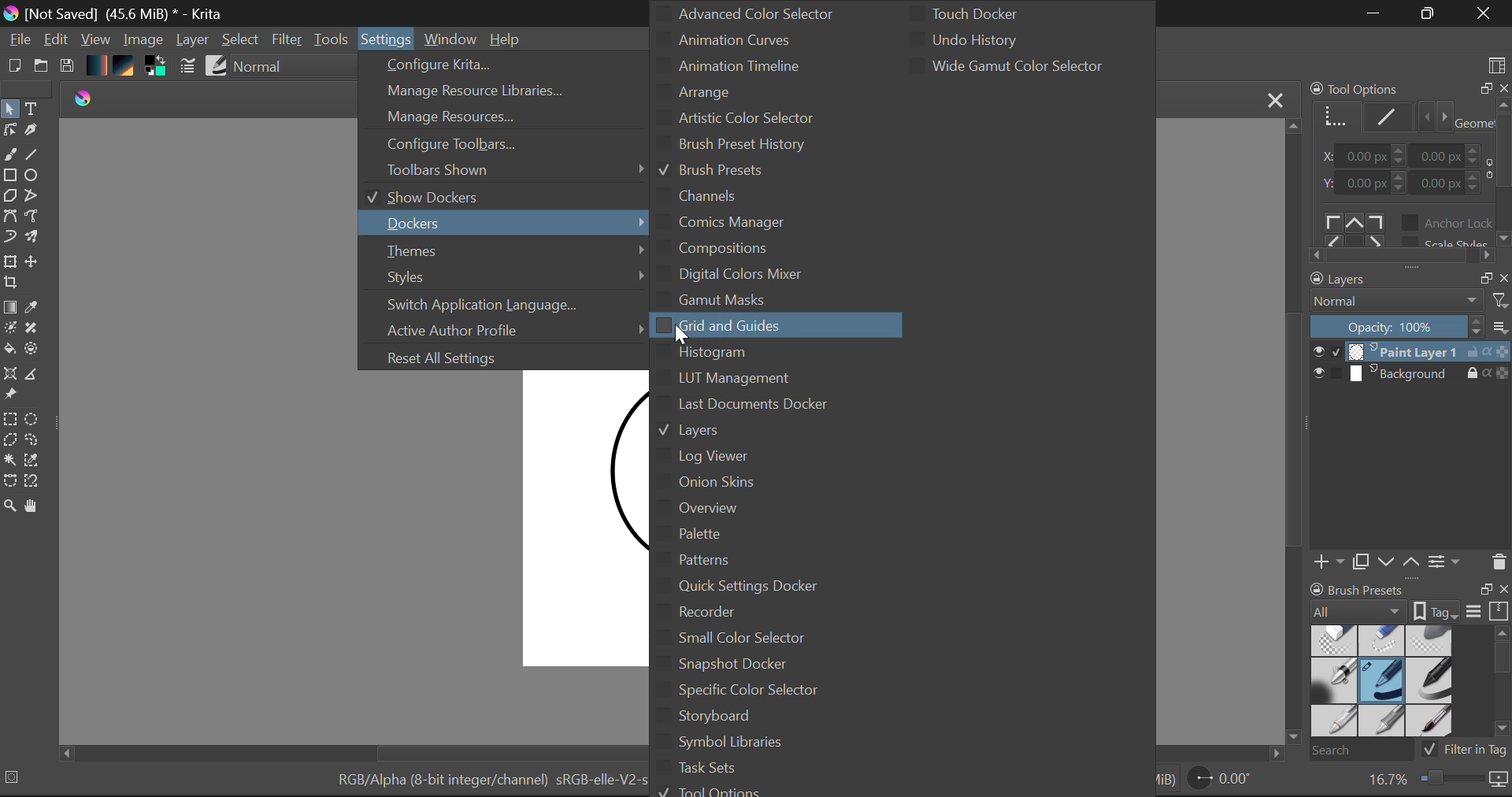  Describe the element at coordinates (9, 155) in the screenshot. I see `Freehand` at that location.